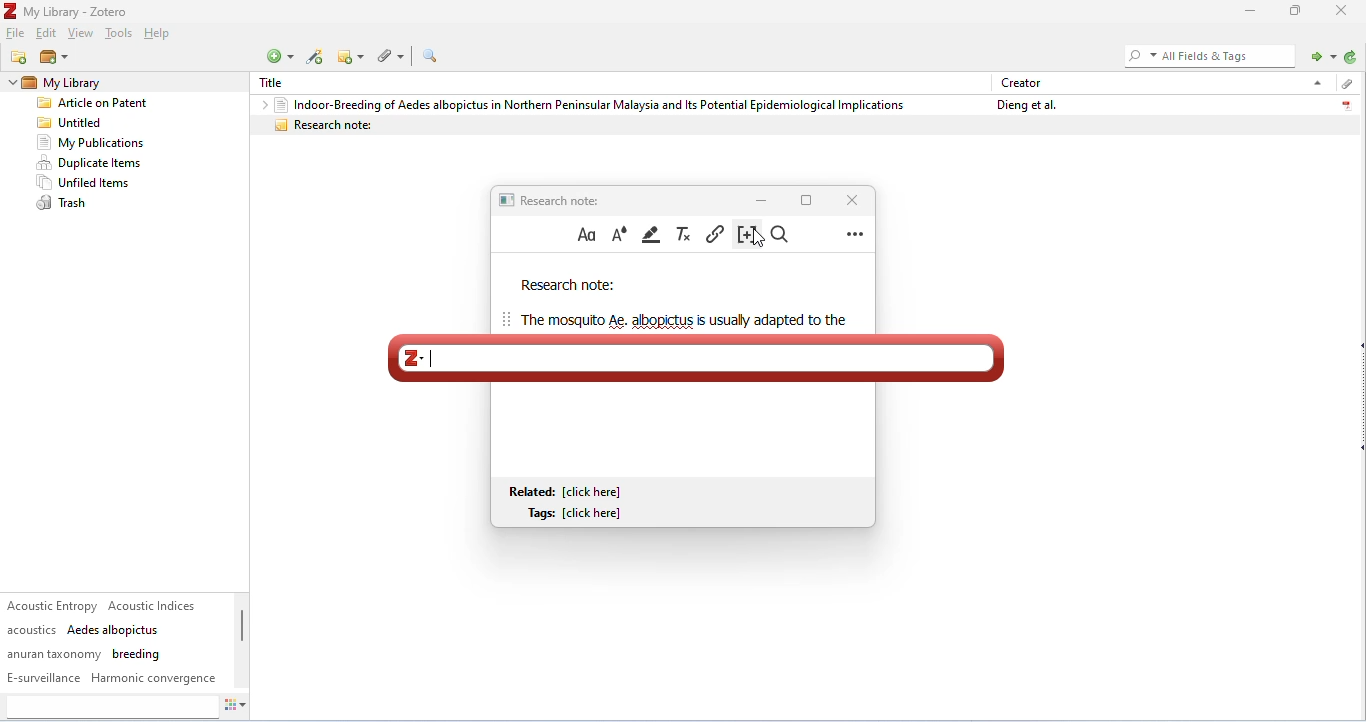 This screenshot has height=722, width=1366. What do you see at coordinates (87, 183) in the screenshot?
I see `unfiled items` at bounding box center [87, 183].